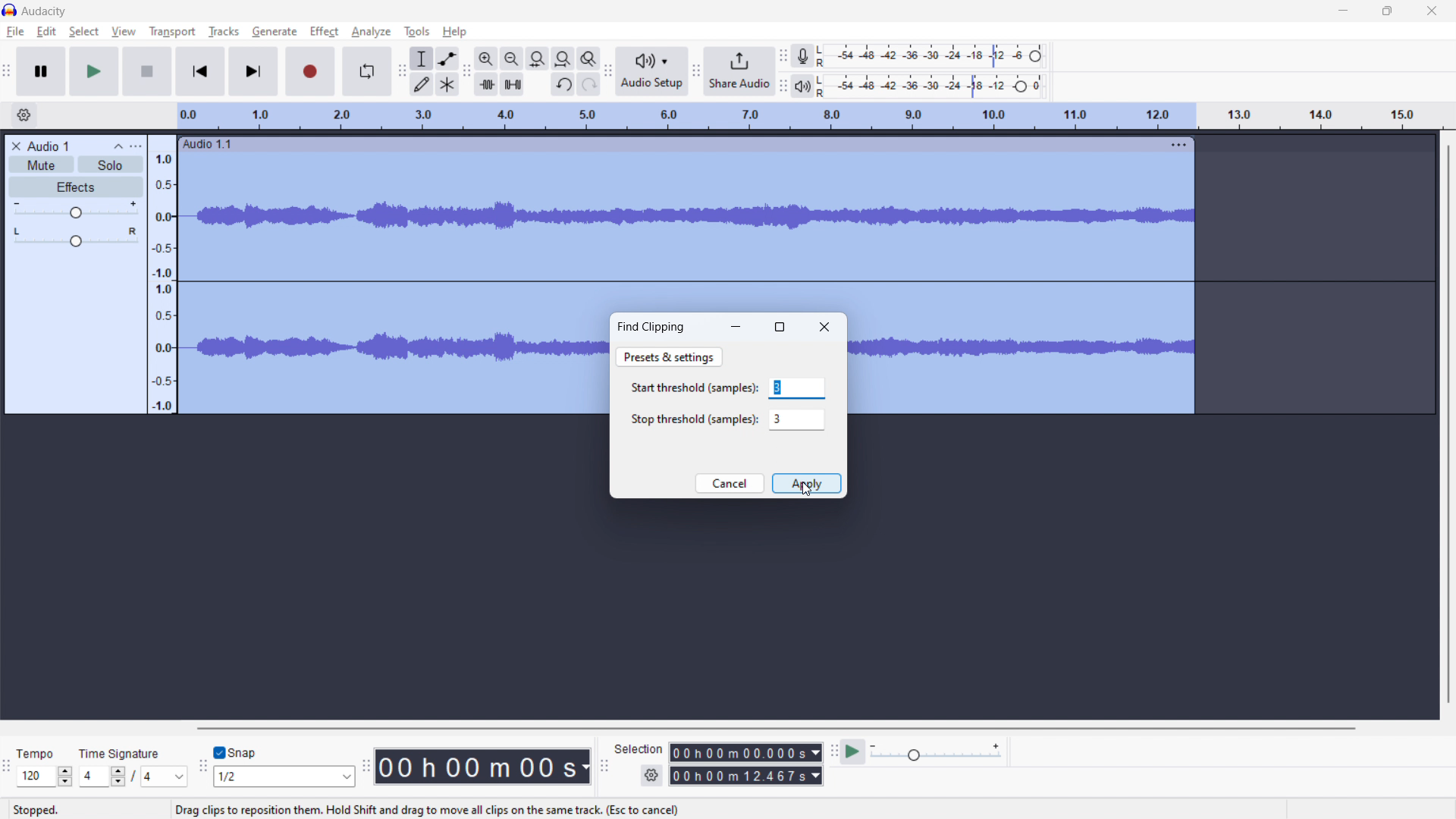 The width and height of the screenshot is (1456, 819). I want to click on track options, so click(1178, 145).